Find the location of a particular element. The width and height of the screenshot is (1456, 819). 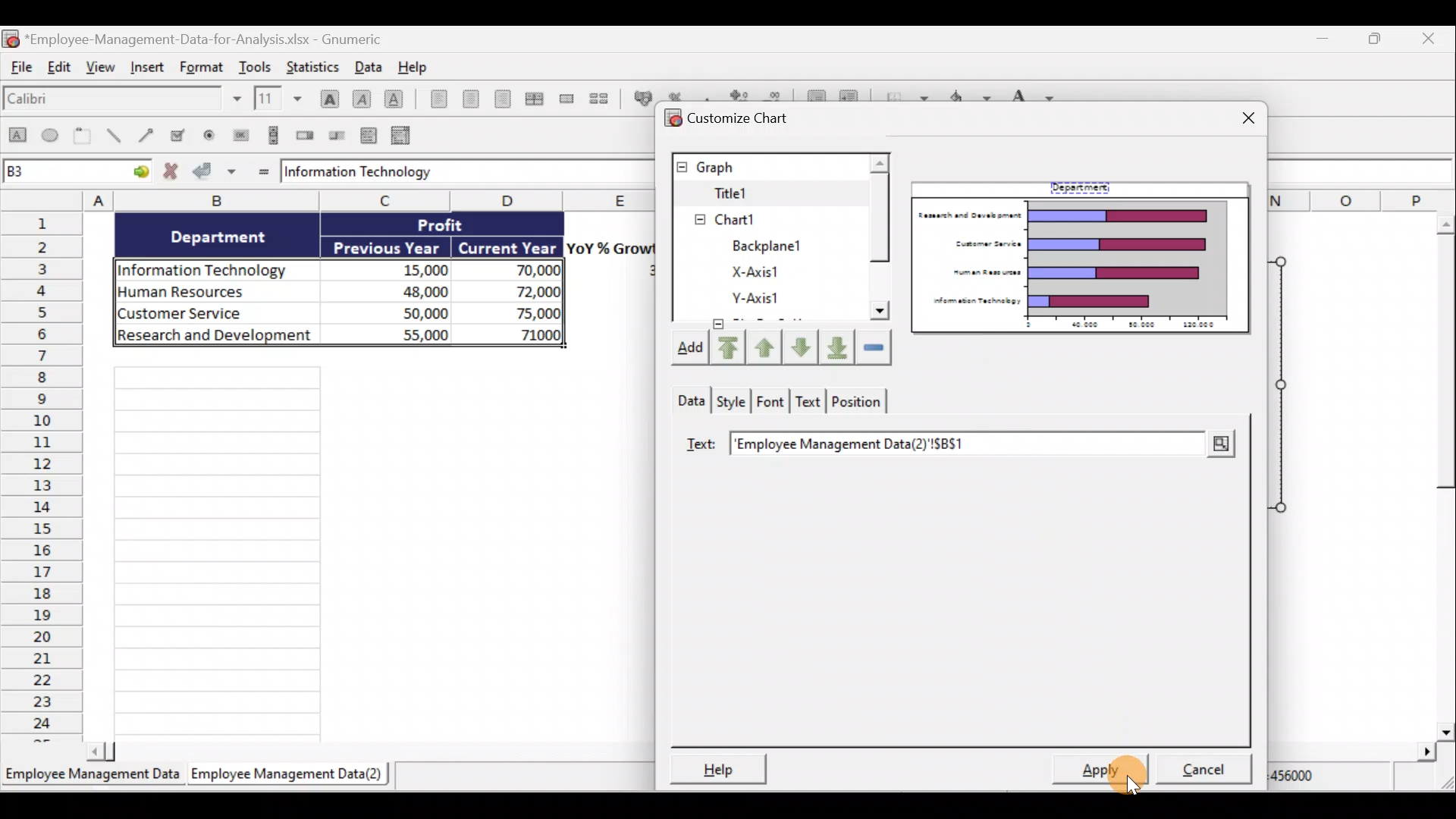

Create an arrow object is located at coordinates (149, 133).